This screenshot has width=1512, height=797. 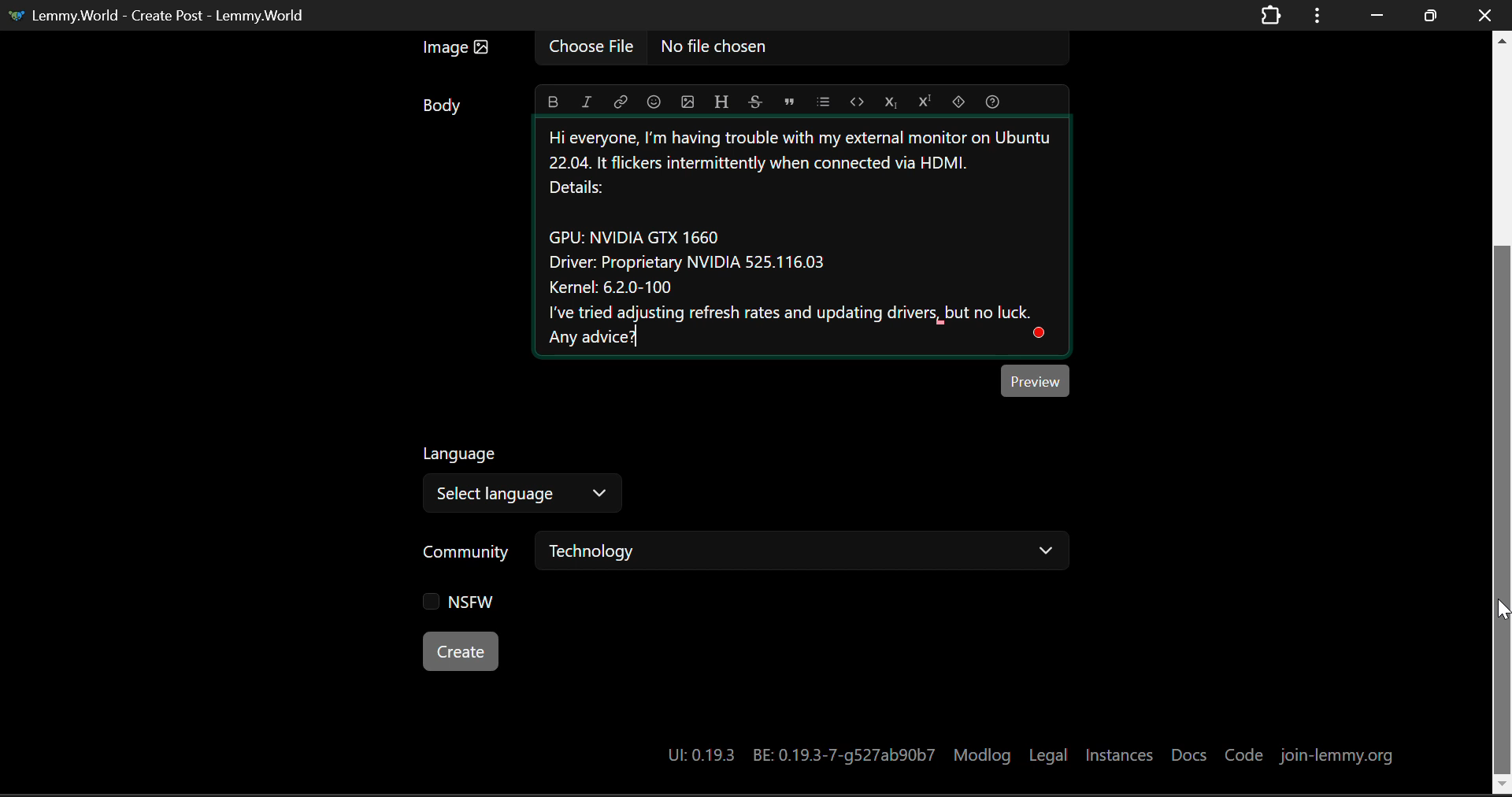 What do you see at coordinates (1503, 413) in the screenshot?
I see `Vertical Scroll Bar` at bounding box center [1503, 413].